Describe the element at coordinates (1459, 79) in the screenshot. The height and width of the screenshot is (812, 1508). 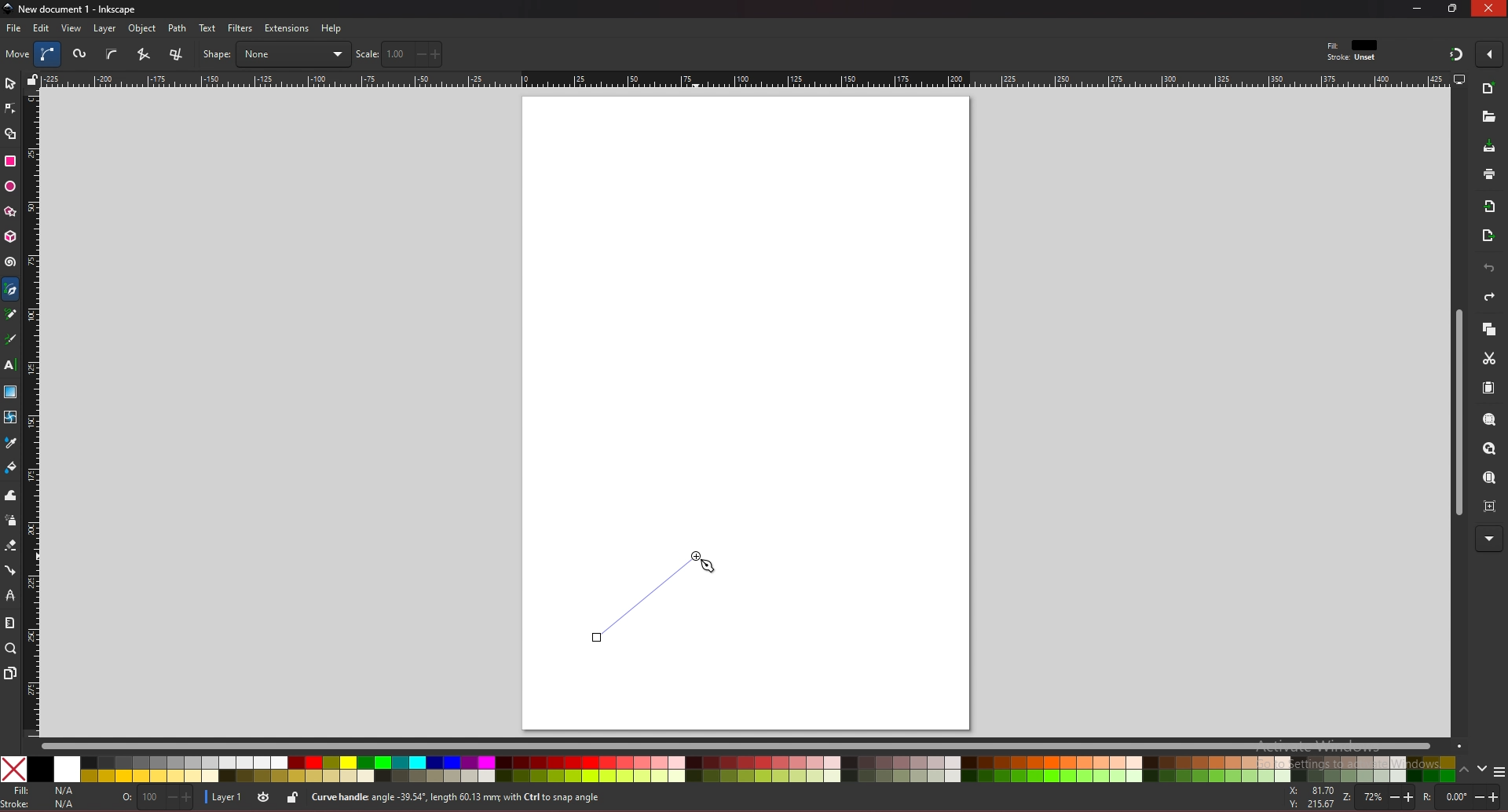
I see `display options` at that location.